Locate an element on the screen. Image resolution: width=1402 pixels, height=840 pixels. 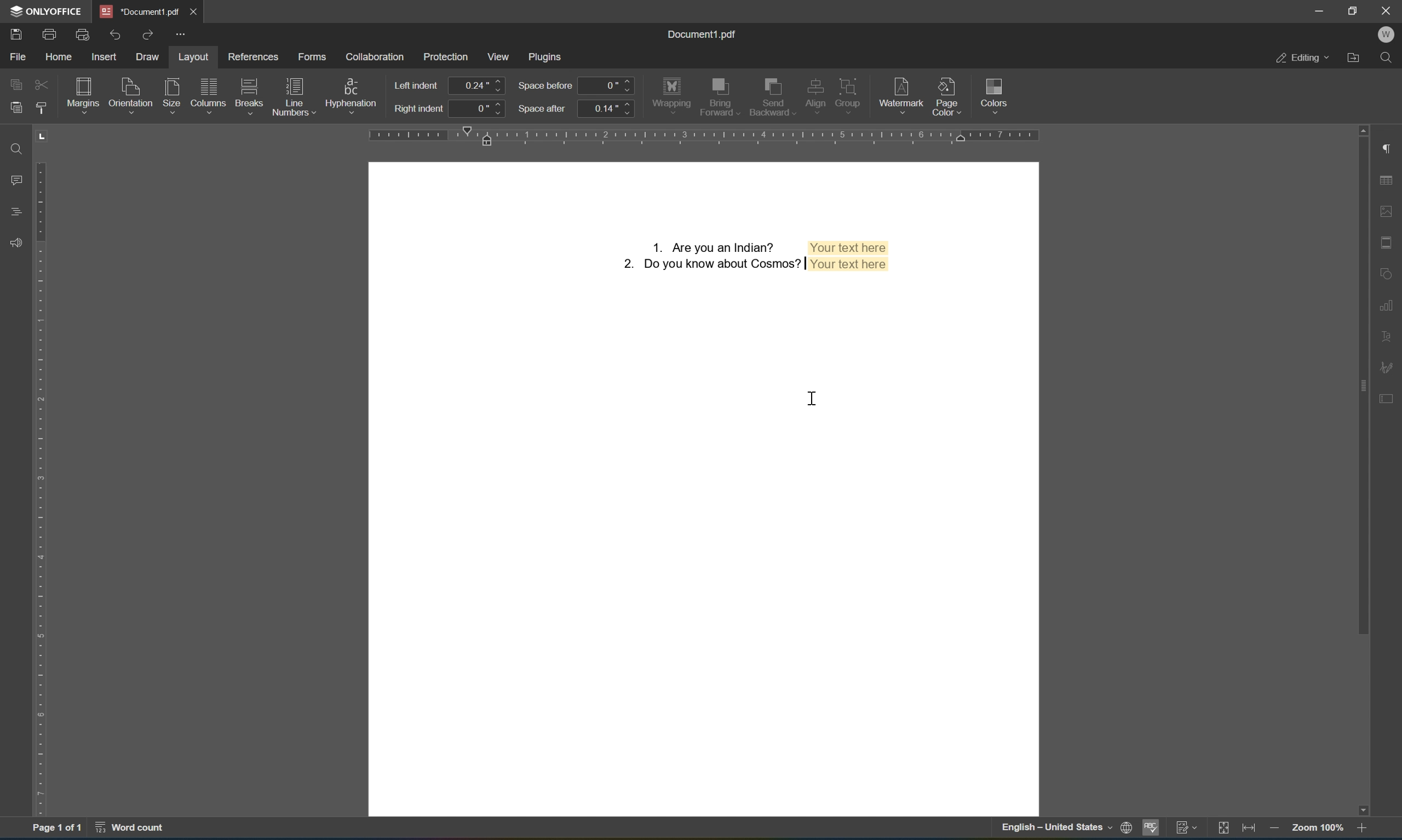
close is located at coordinates (194, 10).